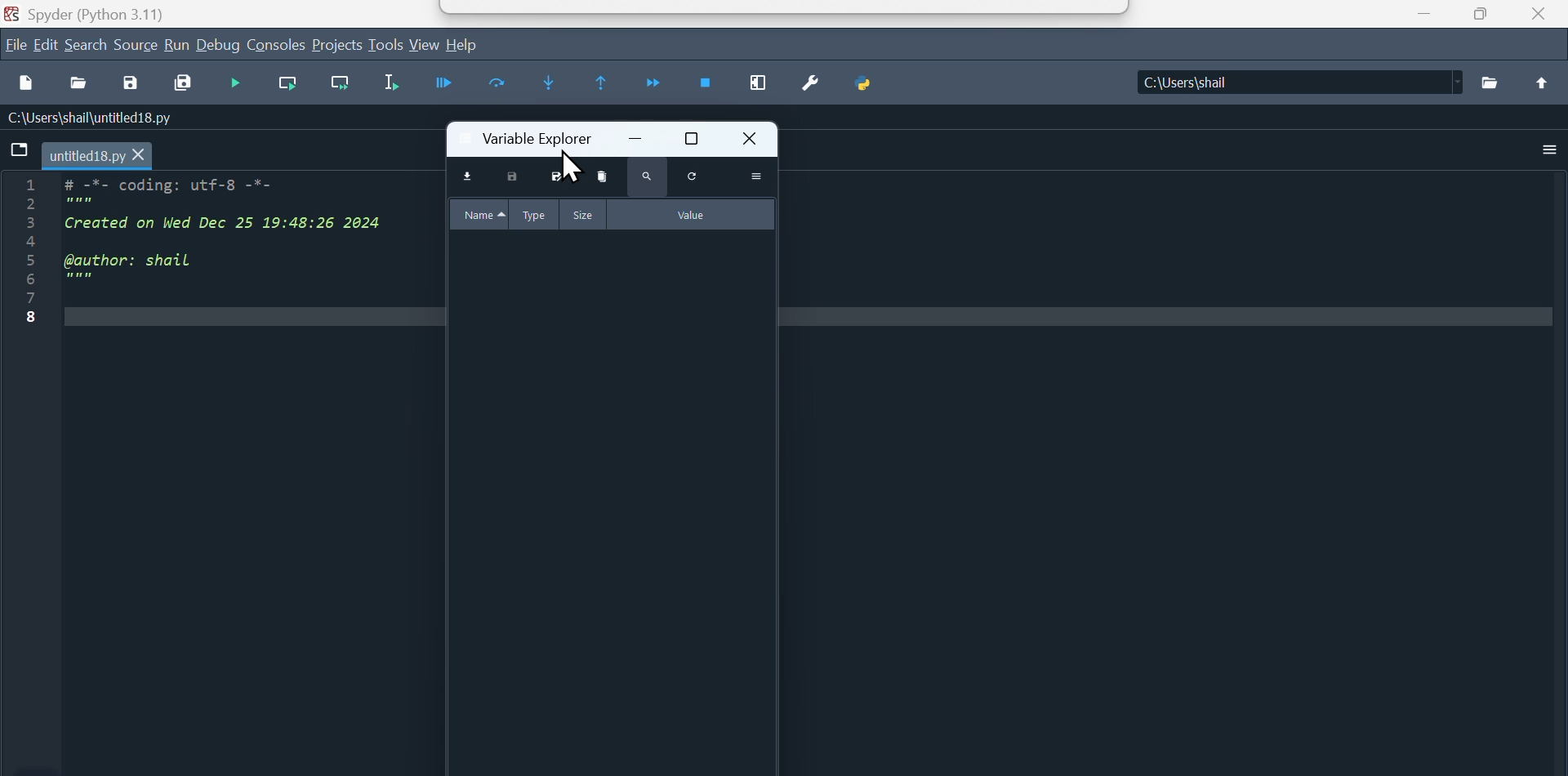 This screenshot has height=776, width=1568. Describe the element at coordinates (278, 46) in the screenshot. I see `Consoles` at that location.